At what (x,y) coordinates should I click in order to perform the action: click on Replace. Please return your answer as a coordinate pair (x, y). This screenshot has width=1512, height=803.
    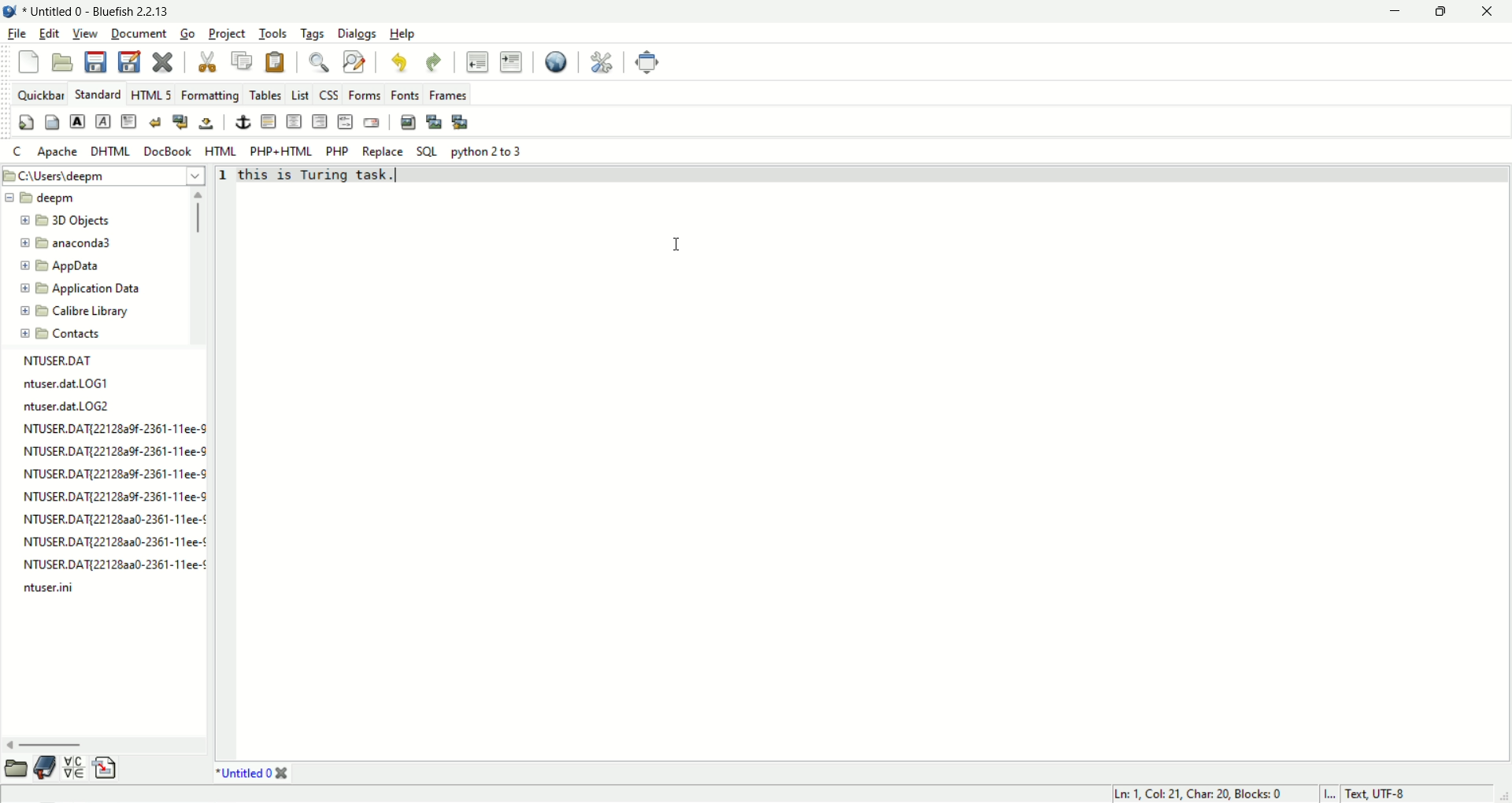
    Looking at the image, I should click on (383, 152).